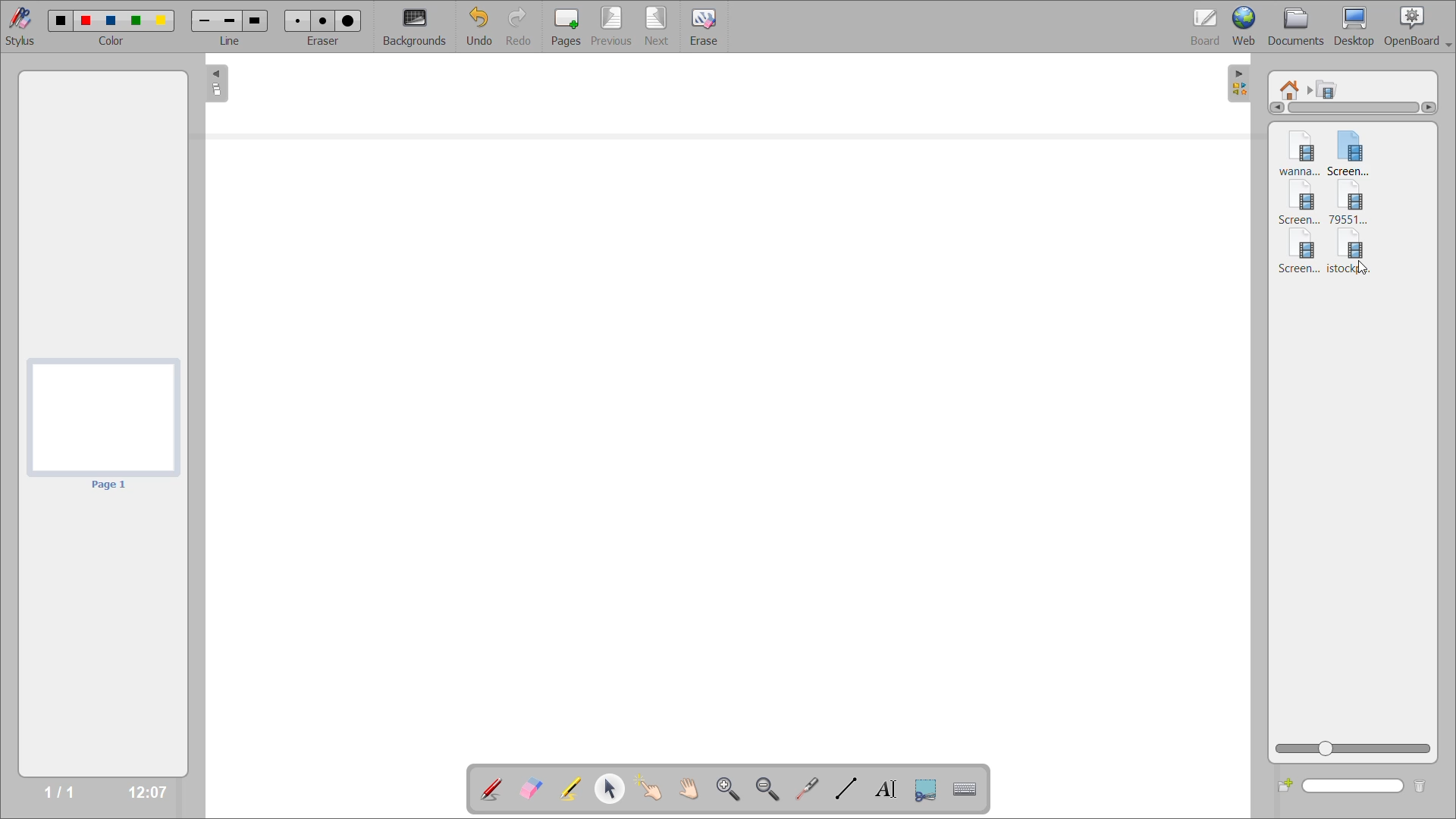 The width and height of the screenshot is (1456, 819). I want to click on pages, so click(562, 24).